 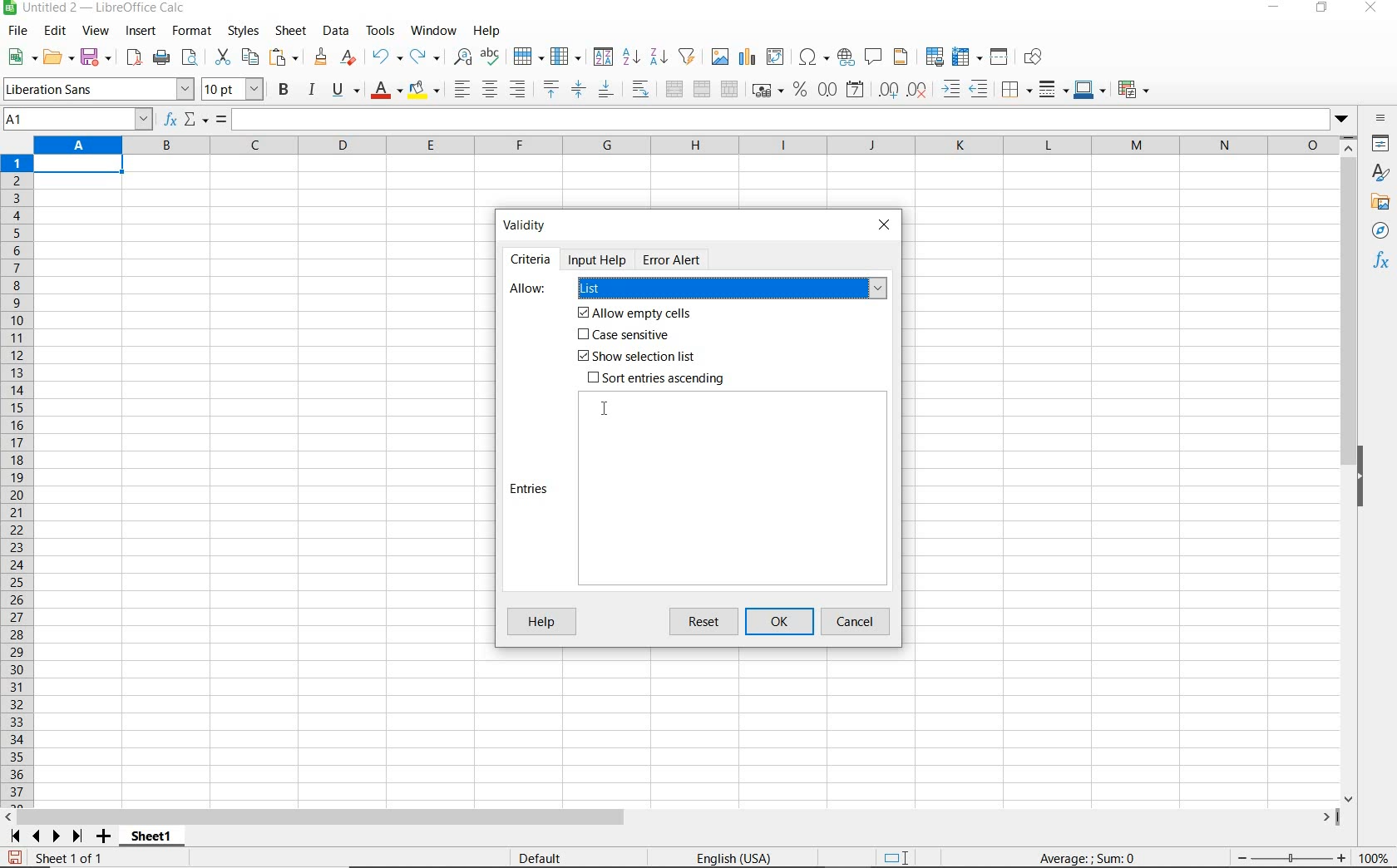 What do you see at coordinates (242, 32) in the screenshot?
I see `styles` at bounding box center [242, 32].